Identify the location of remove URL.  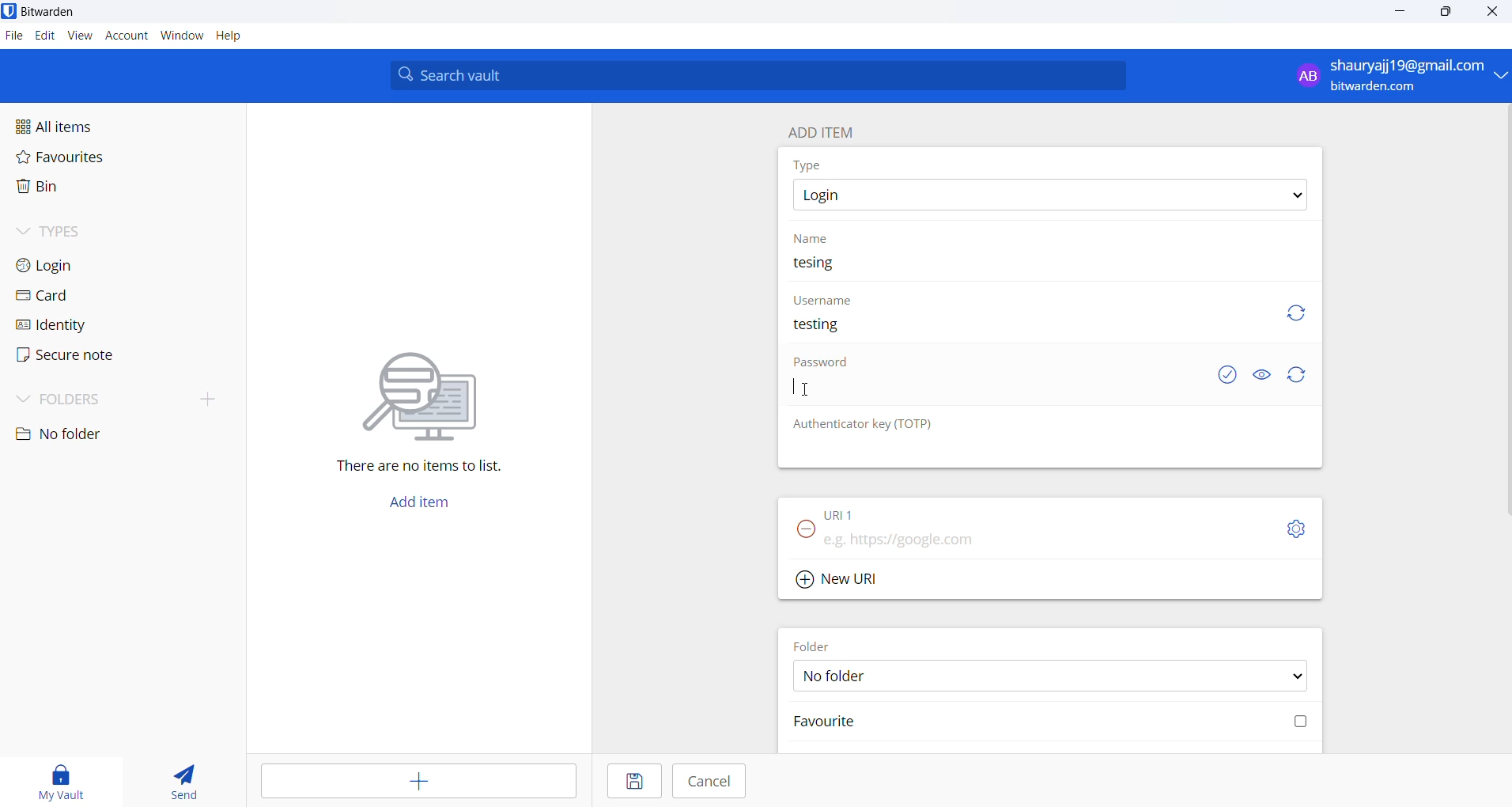
(807, 534).